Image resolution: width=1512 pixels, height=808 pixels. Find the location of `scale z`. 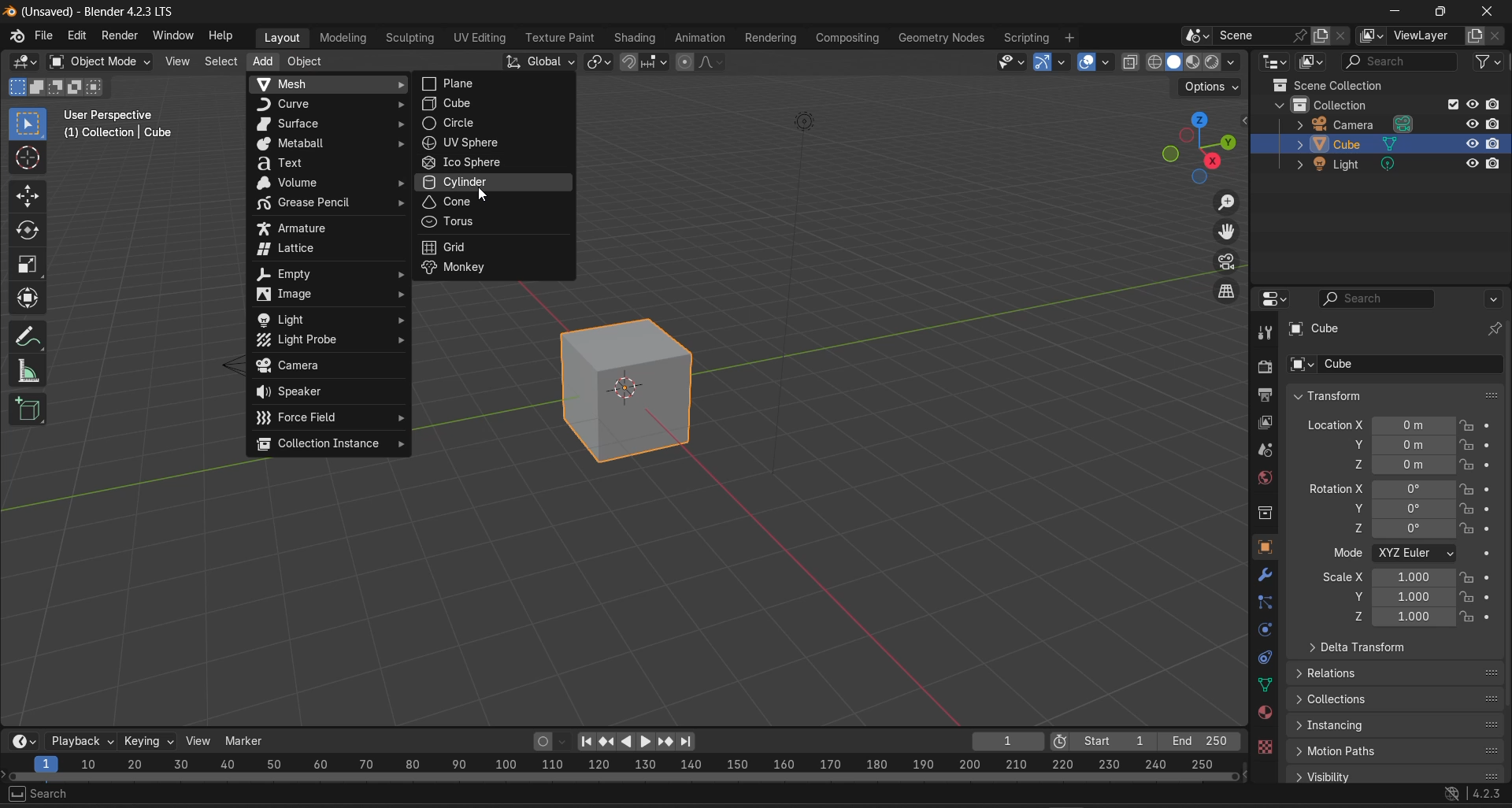

scale z is located at coordinates (1401, 617).